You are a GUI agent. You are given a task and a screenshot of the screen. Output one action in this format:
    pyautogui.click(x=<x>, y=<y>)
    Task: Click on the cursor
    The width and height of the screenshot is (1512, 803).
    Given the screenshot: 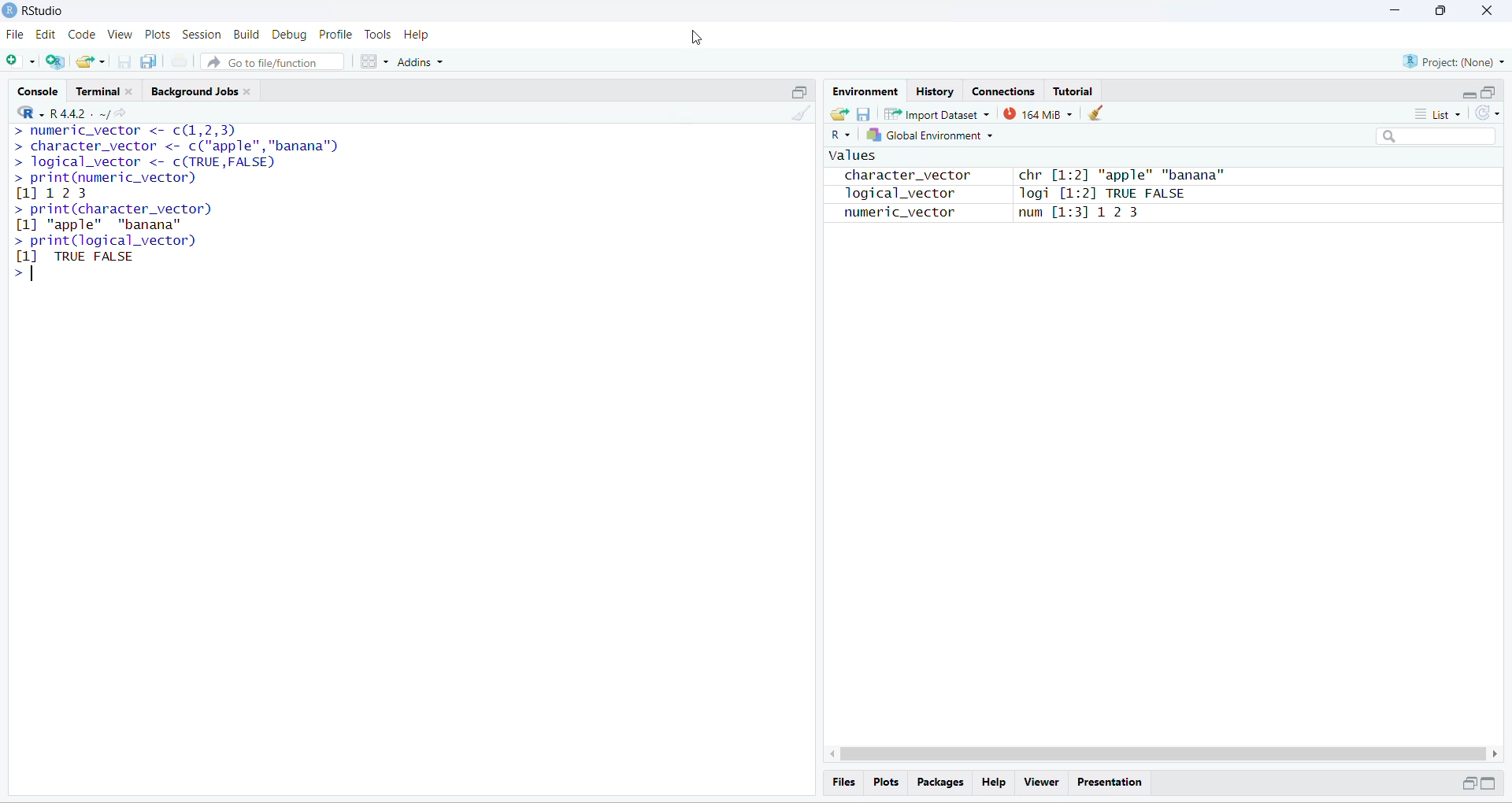 What is the action you would take?
    pyautogui.click(x=31, y=133)
    